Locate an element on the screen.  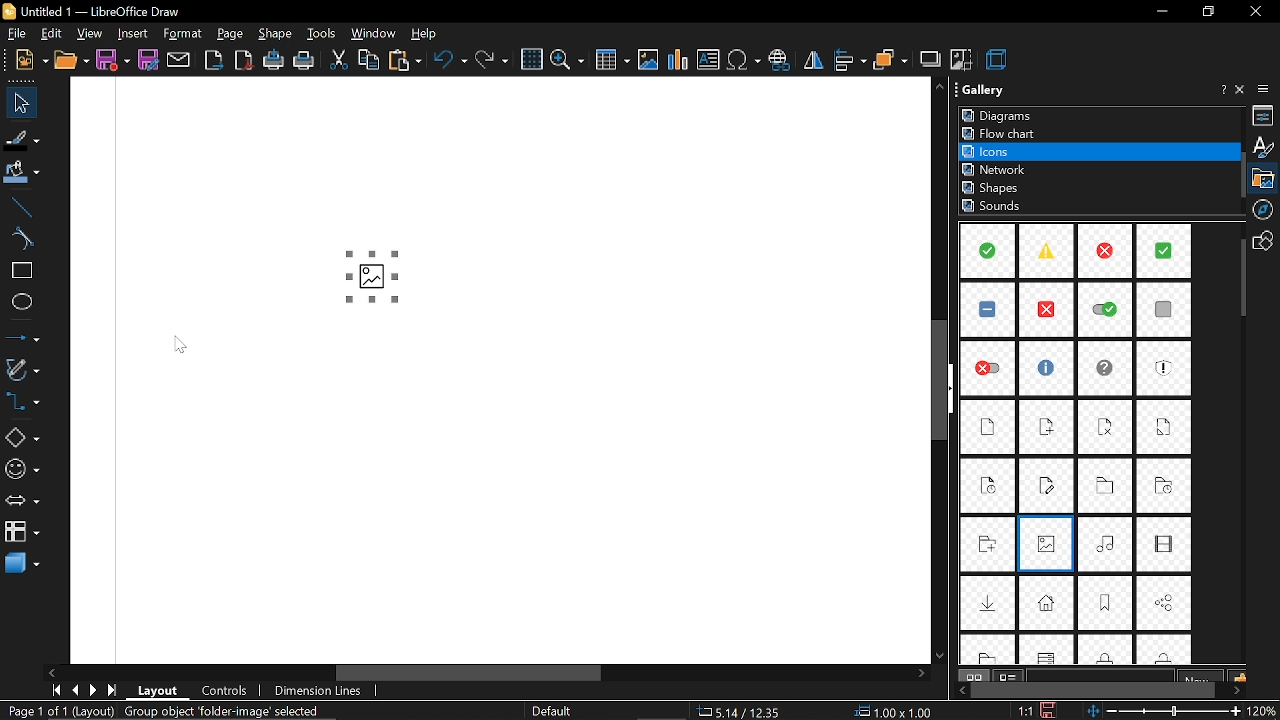
properties is located at coordinates (1265, 116).